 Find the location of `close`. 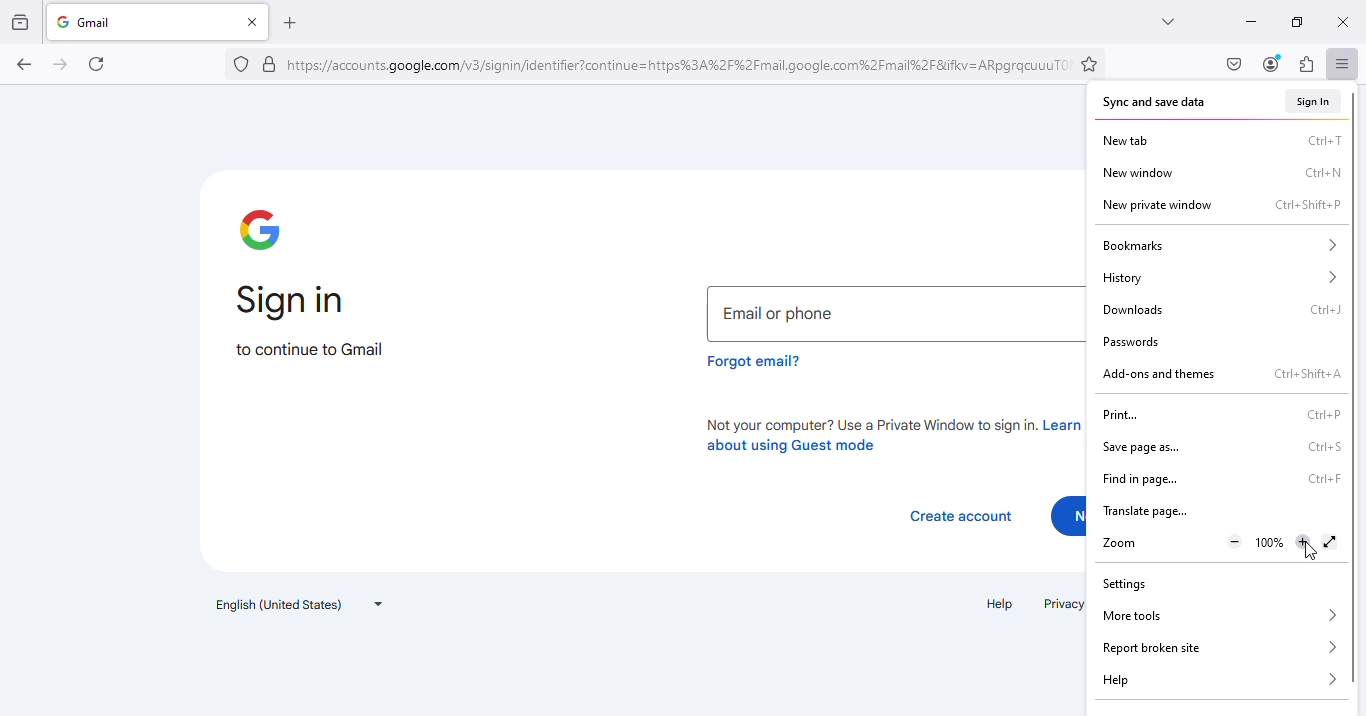

close is located at coordinates (1346, 22).